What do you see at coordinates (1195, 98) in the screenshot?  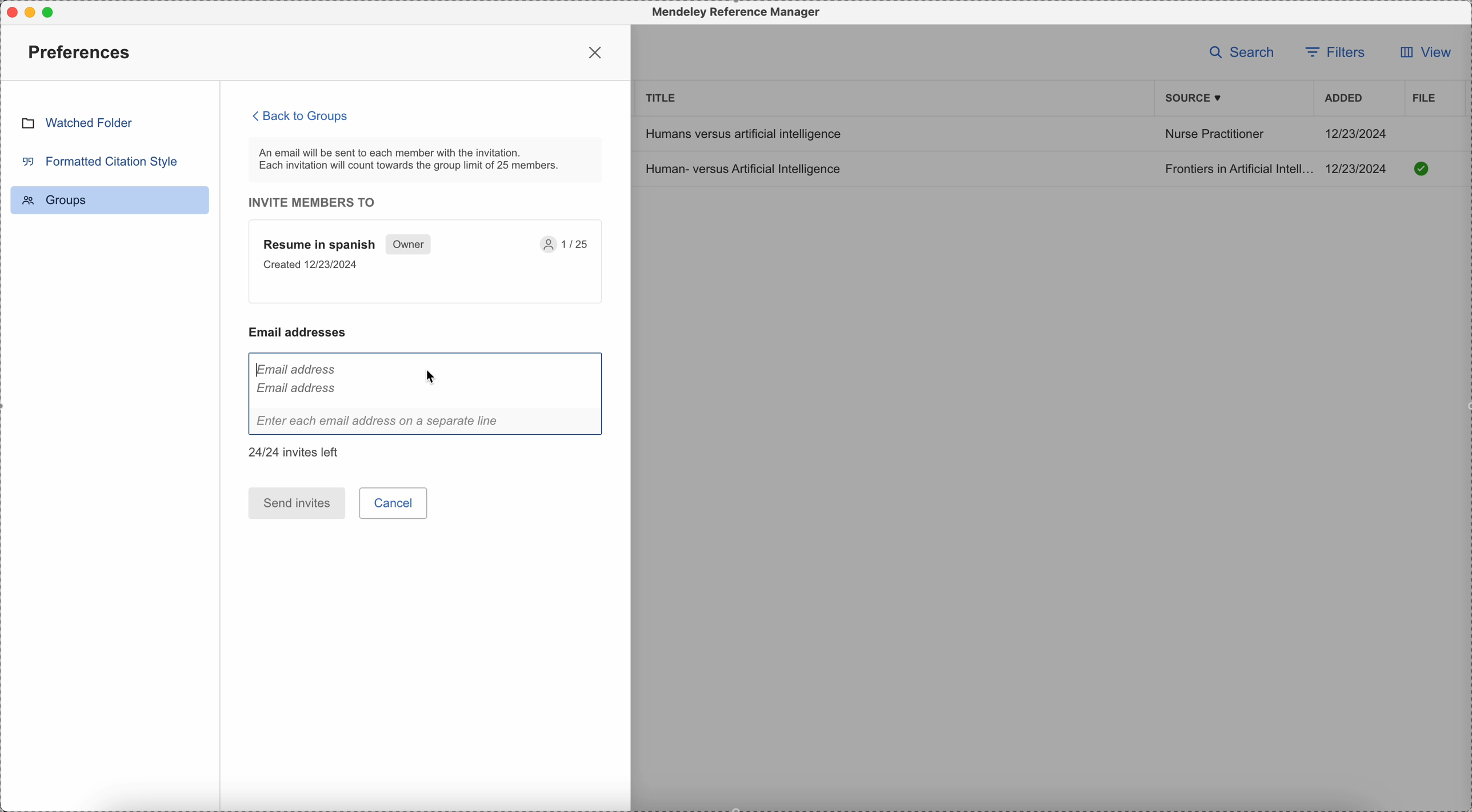 I see `source` at bounding box center [1195, 98].